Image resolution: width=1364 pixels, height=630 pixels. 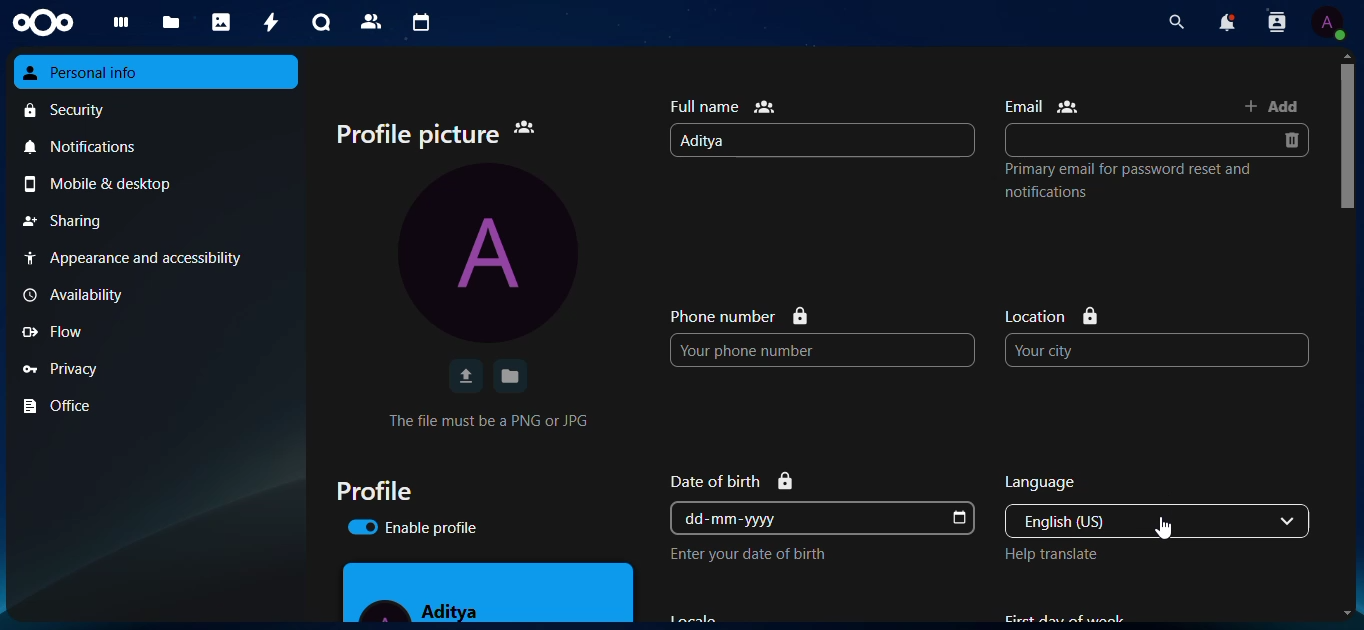 I want to click on notifications, so click(x=1222, y=23).